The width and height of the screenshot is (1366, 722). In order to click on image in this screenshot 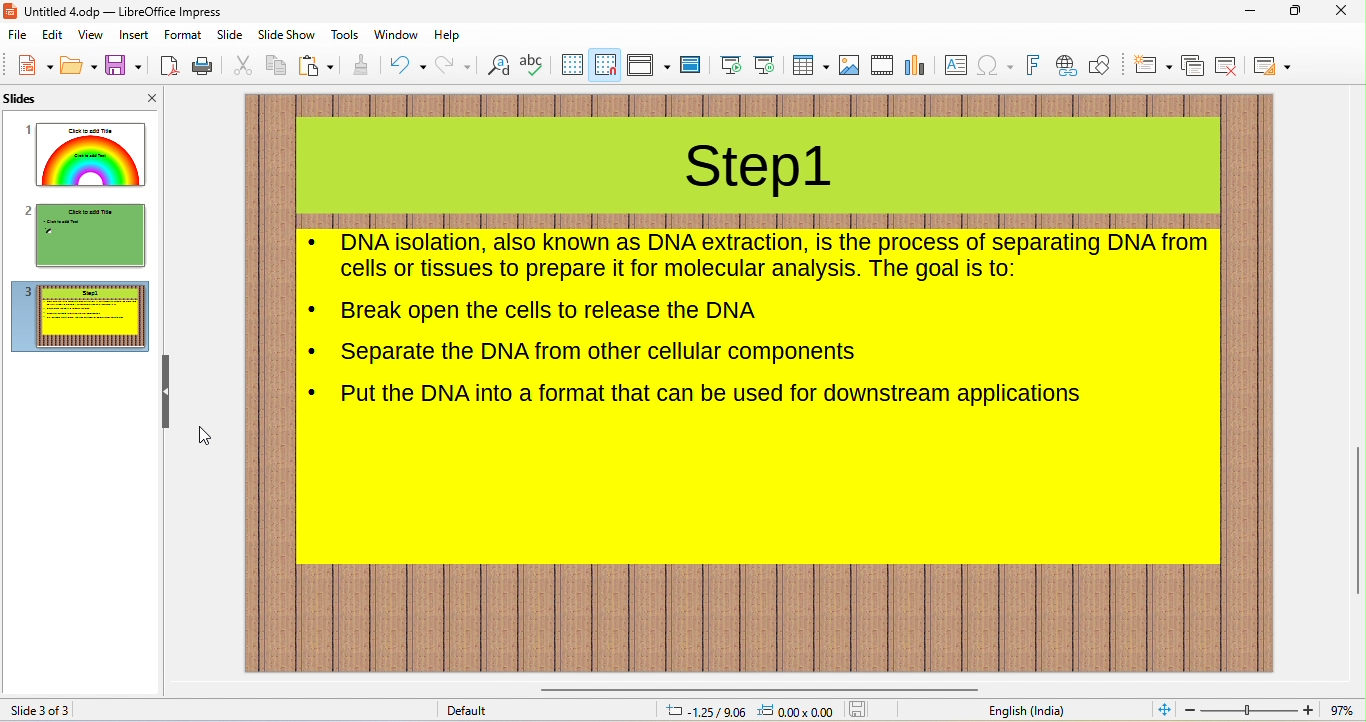, I will do `click(849, 65)`.